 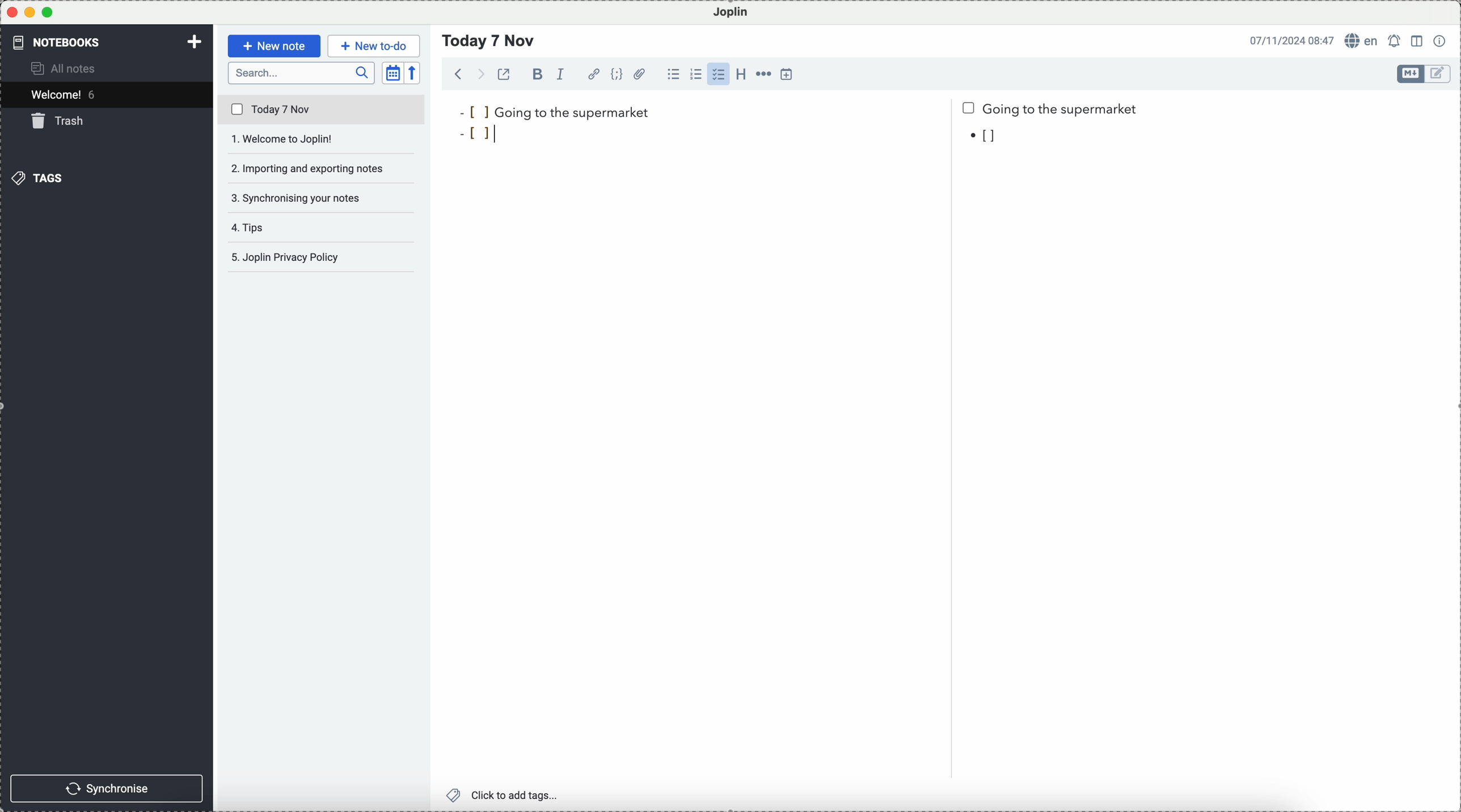 What do you see at coordinates (459, 73) in the screenshot?
I see `back` at bounding box center [459, 73].